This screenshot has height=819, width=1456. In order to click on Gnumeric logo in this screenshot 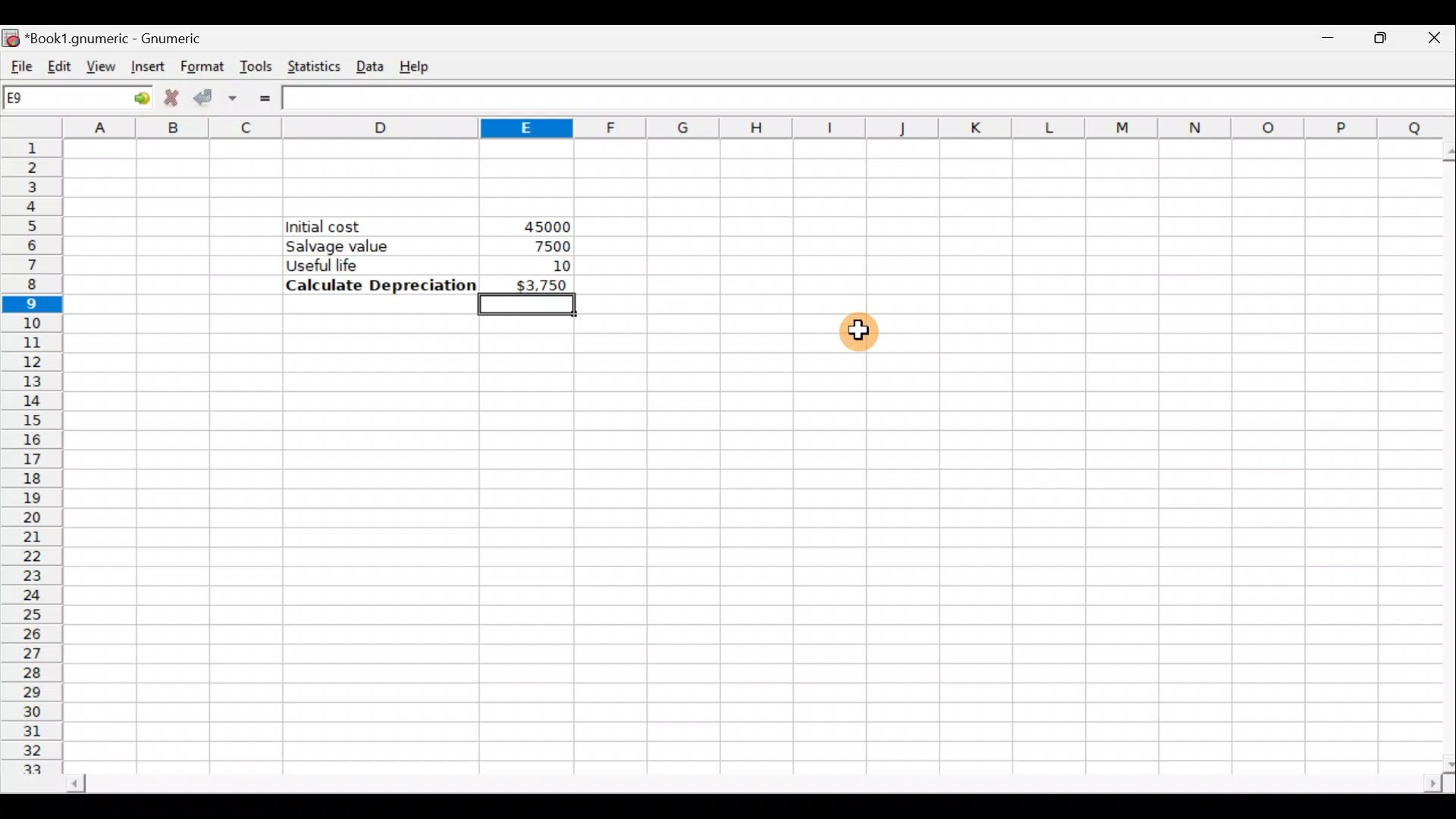, I will do `click(12, 35)`.